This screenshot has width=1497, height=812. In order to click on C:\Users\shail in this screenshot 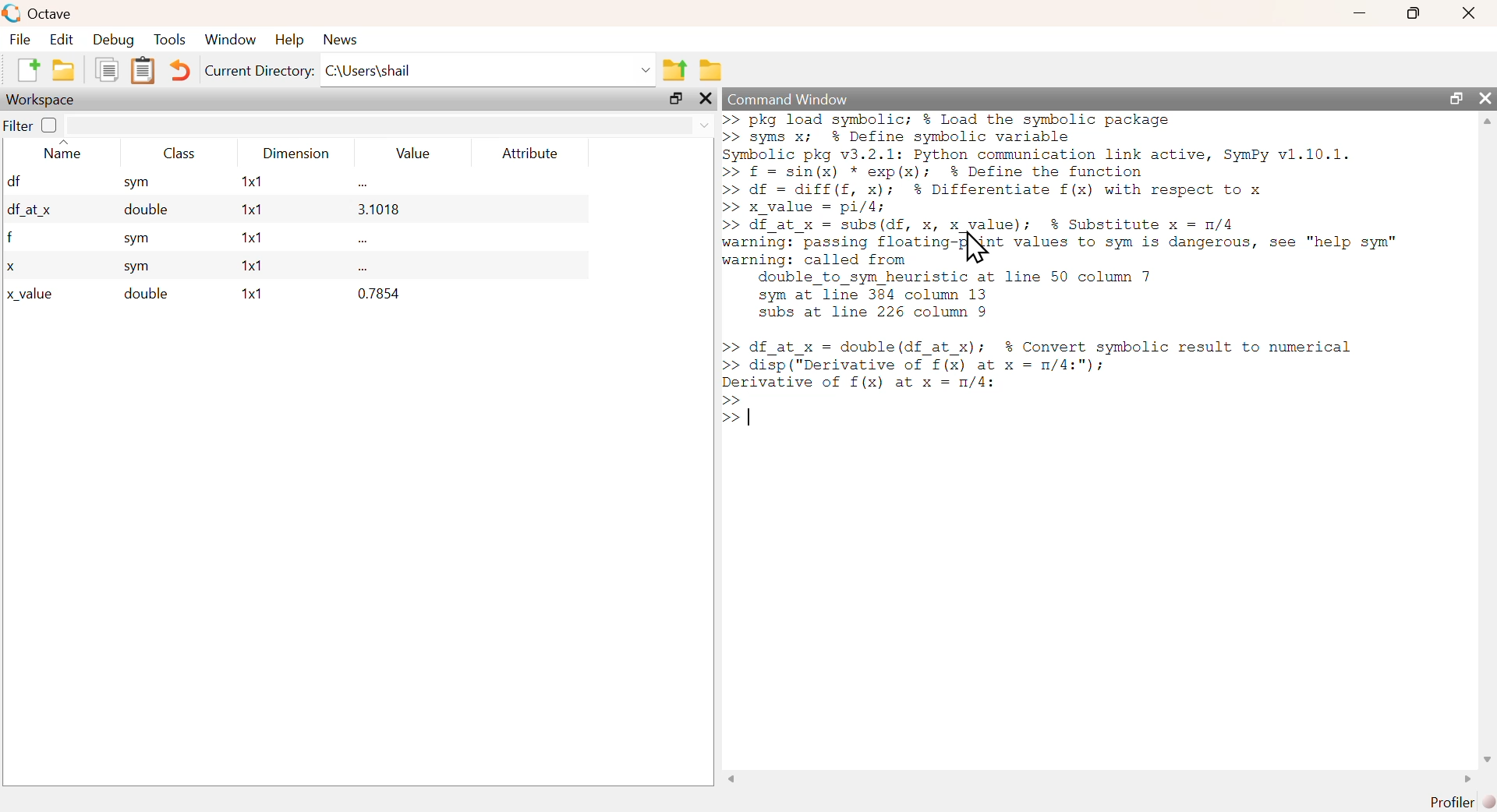, I will do `click(487, 70)`.